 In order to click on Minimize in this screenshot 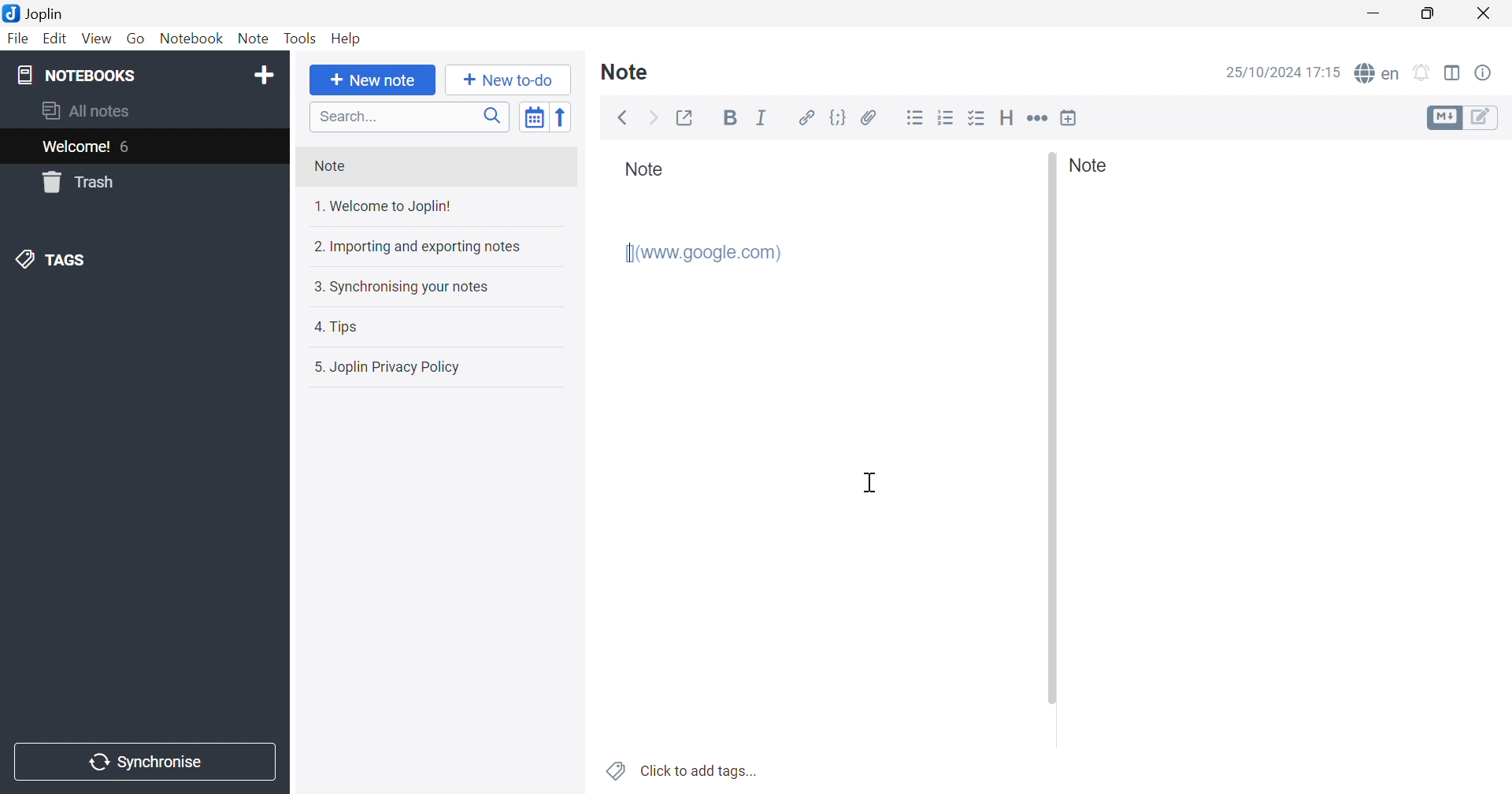, I will do `click(1372, 14)`.